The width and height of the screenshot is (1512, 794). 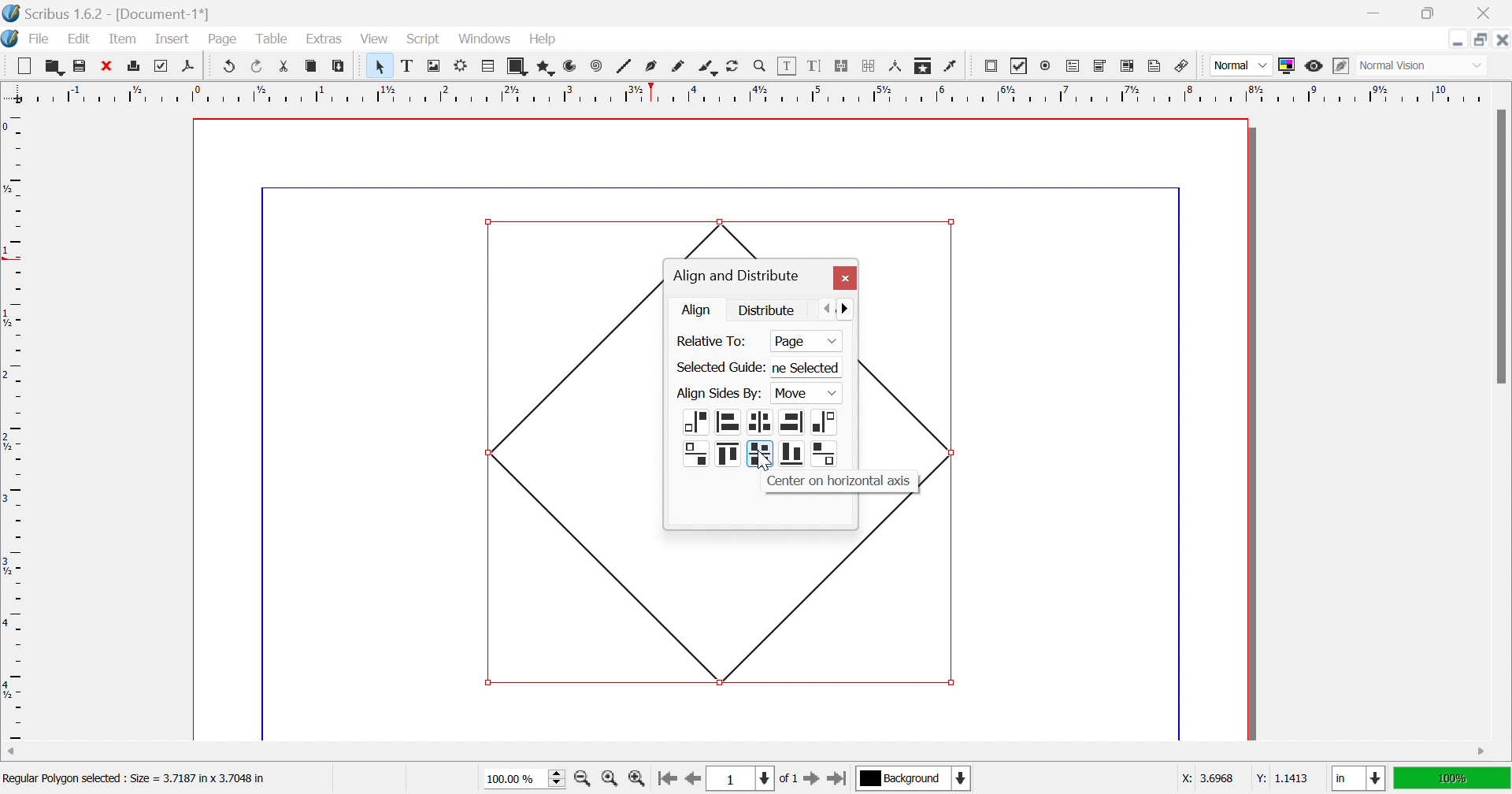 I want to click on Arc, so click(x=570, y=65).